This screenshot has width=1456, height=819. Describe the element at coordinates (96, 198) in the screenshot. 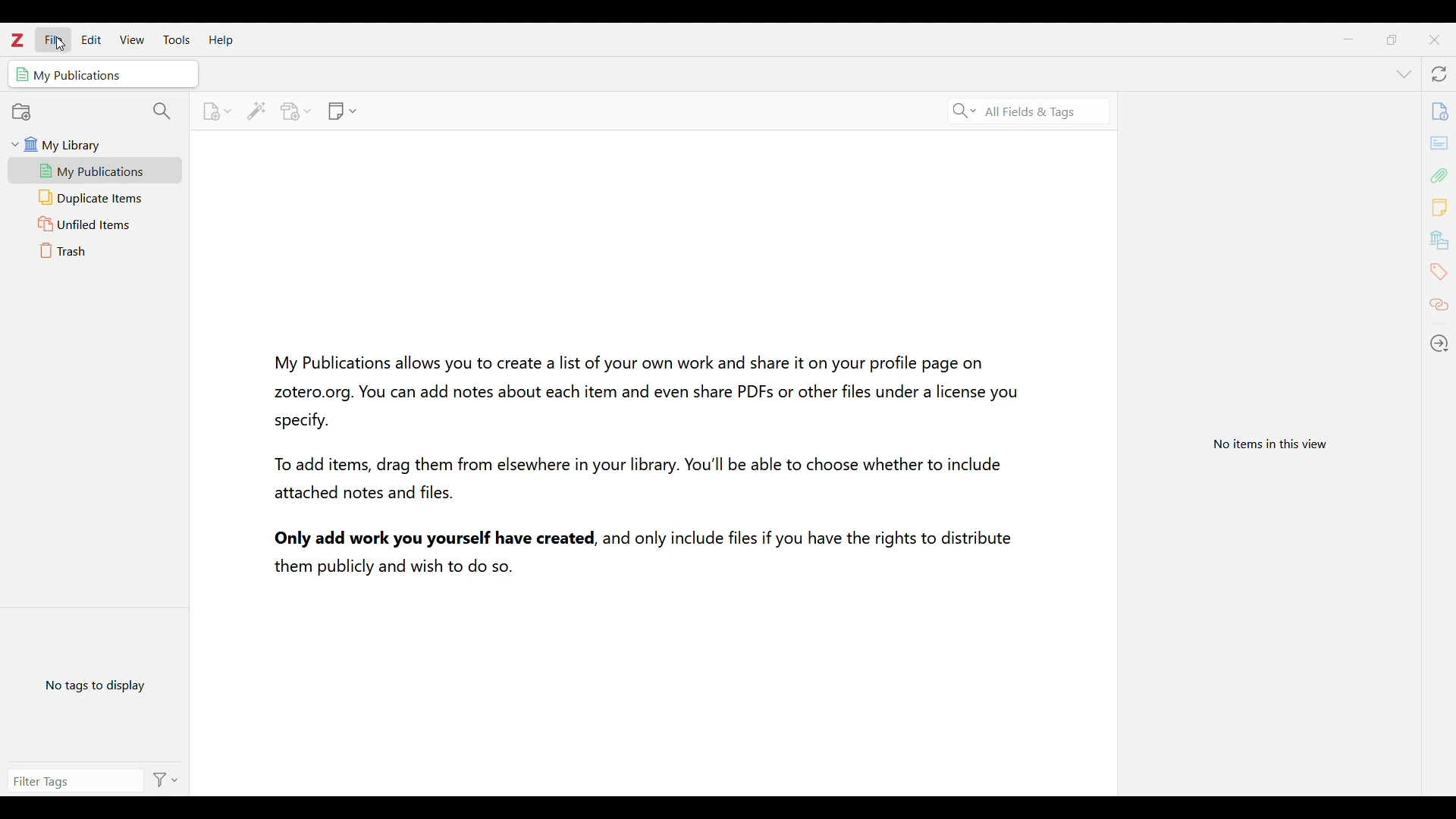

I see `Duplicate items` at that location.